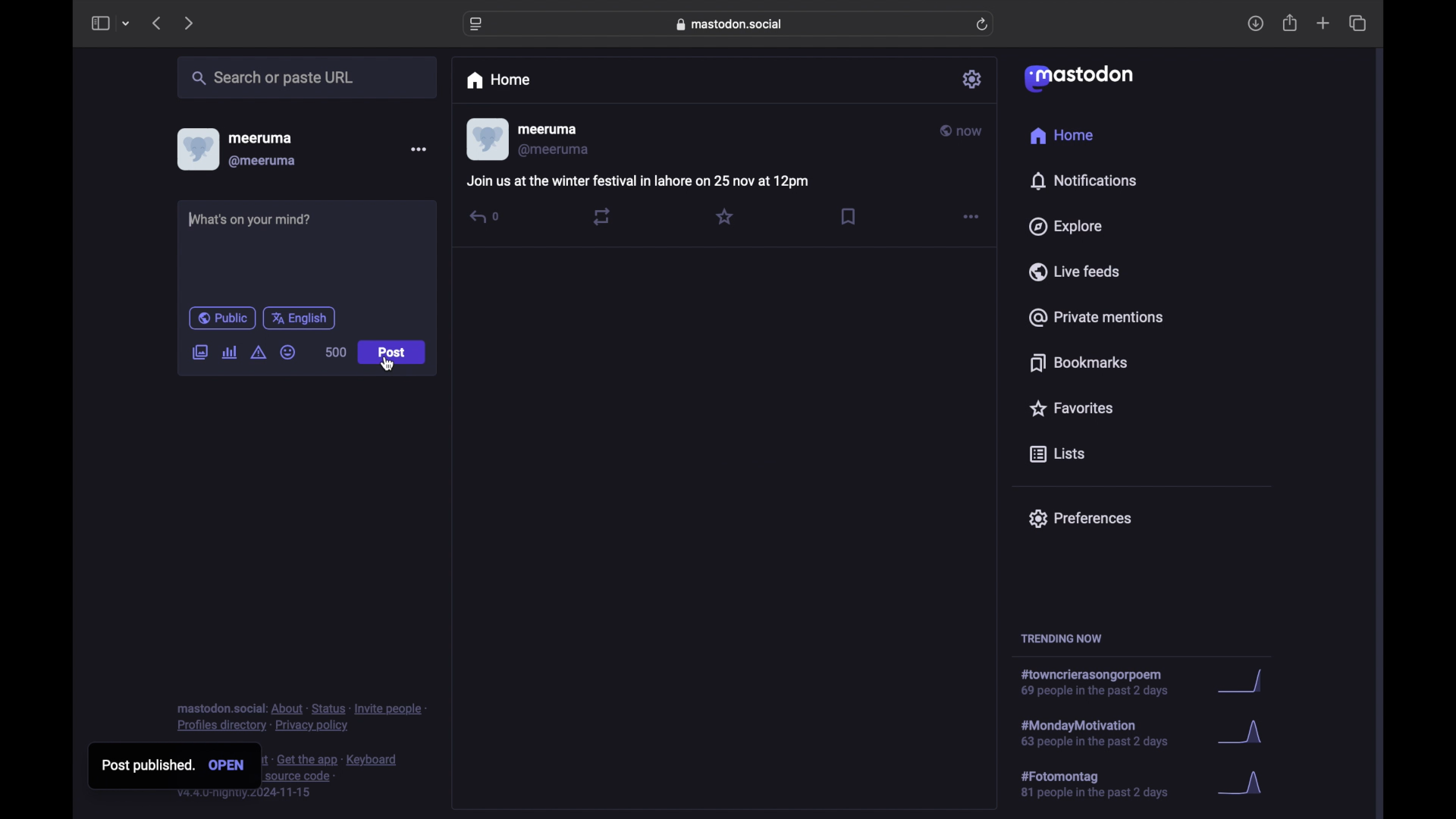 Image resolution: width=1456 pixels, height=819 pixels. Describe the element at coordinates (260, 137) in the screenshot. I see `meeruma` at that location.